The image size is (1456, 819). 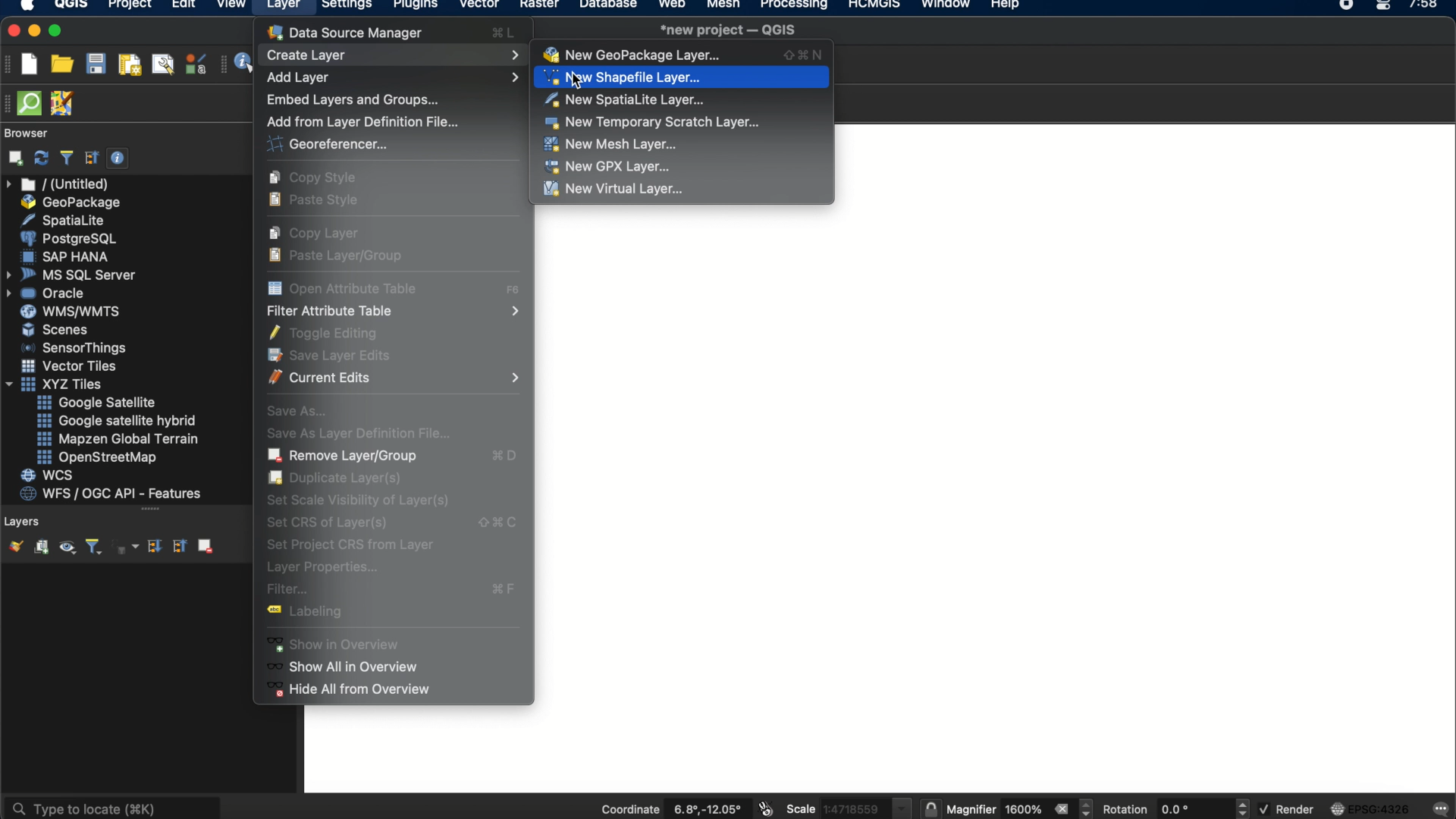 What do you see at coordinates (393, 78) in the screenshot?
I see `add layer` at bounding box center [393, 78].